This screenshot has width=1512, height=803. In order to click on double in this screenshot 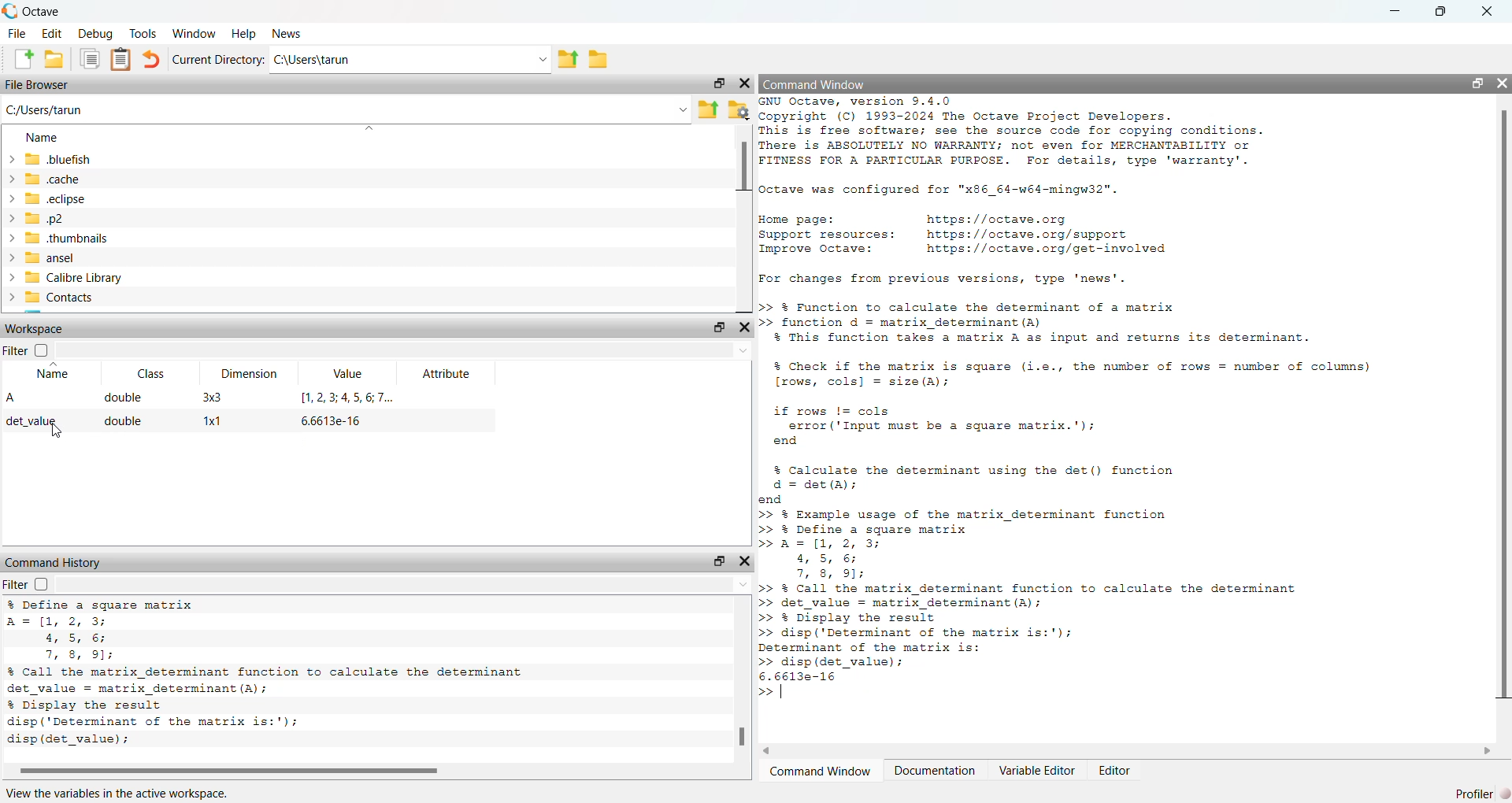, I will do `click(122, 398)`.